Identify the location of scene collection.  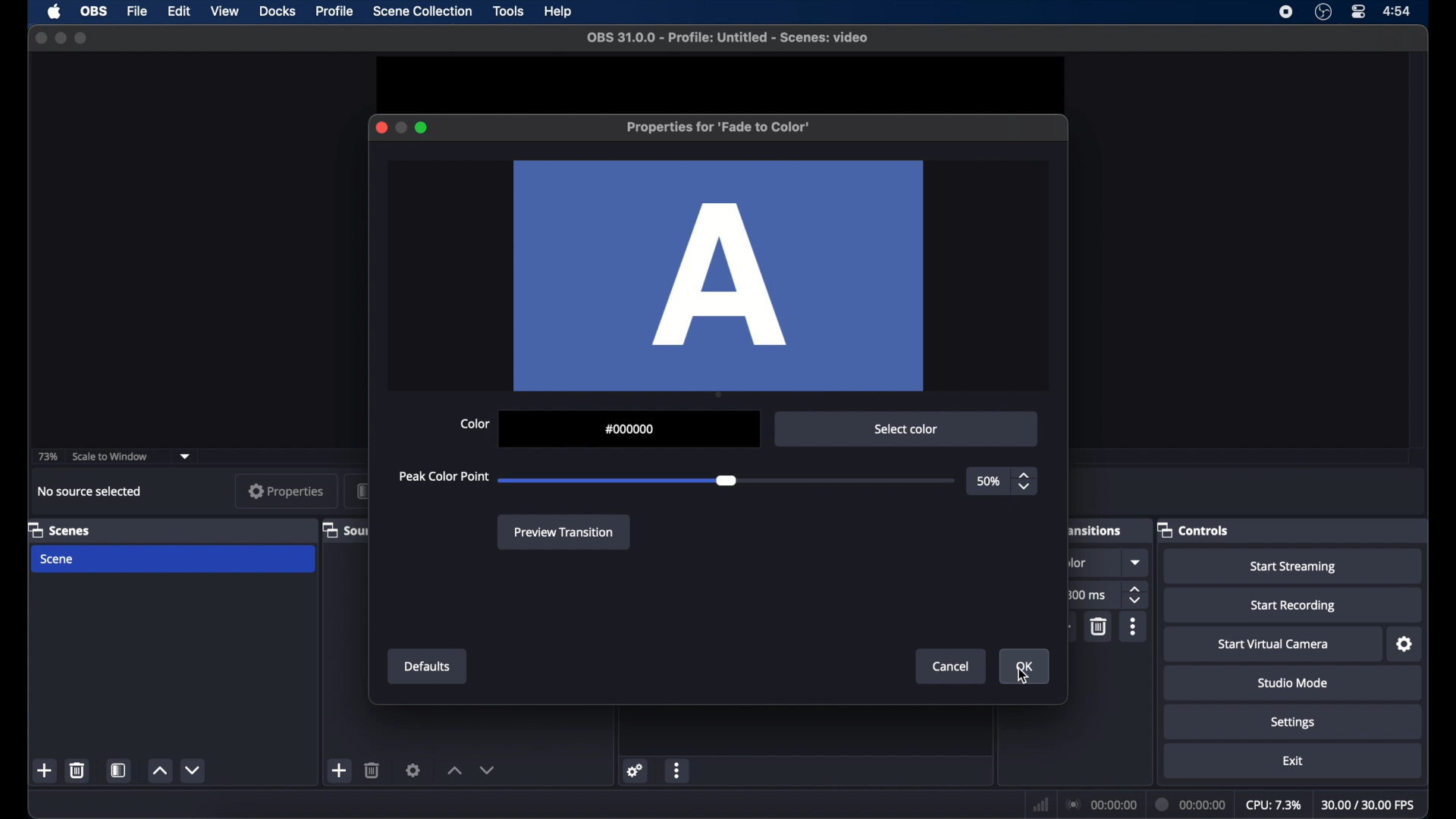
(422, 11).